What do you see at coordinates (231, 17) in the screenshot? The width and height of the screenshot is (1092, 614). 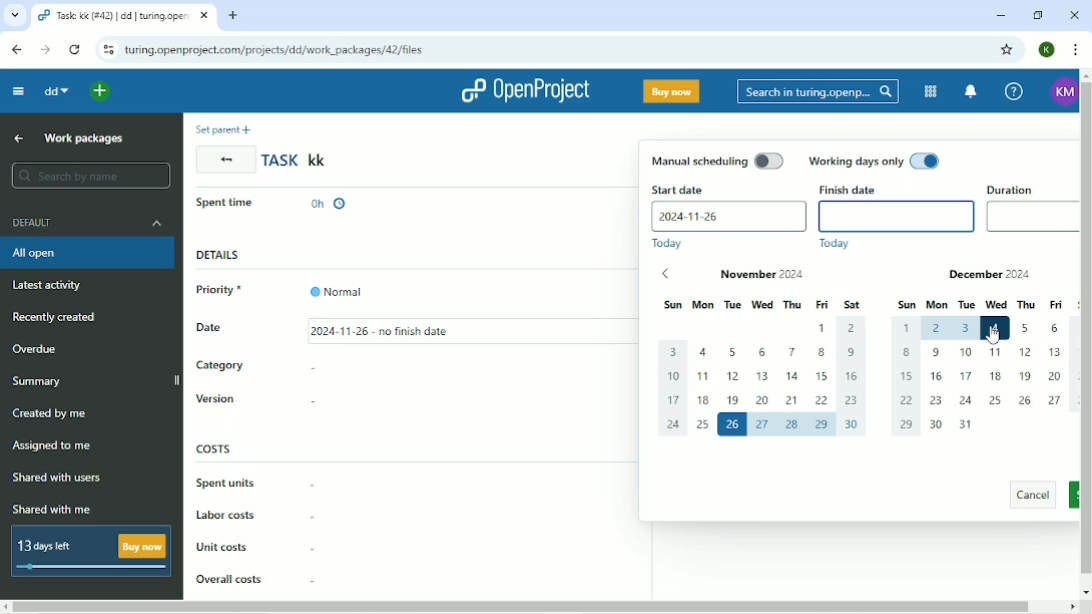 I see `New tab` at bounding box center [231, 17].